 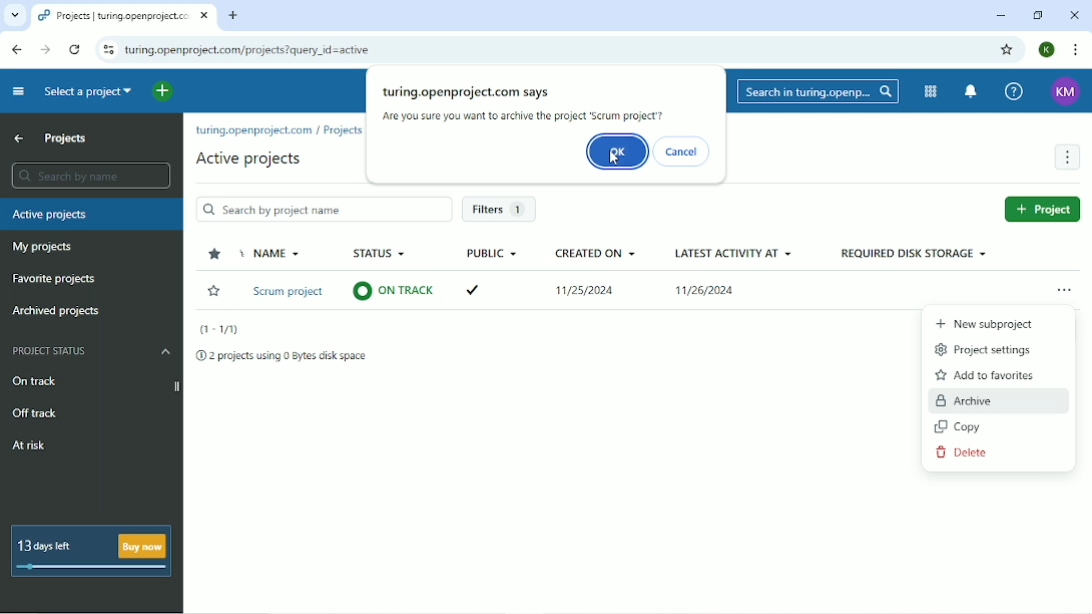 I want to click on OK, so click(x=614, y=151).